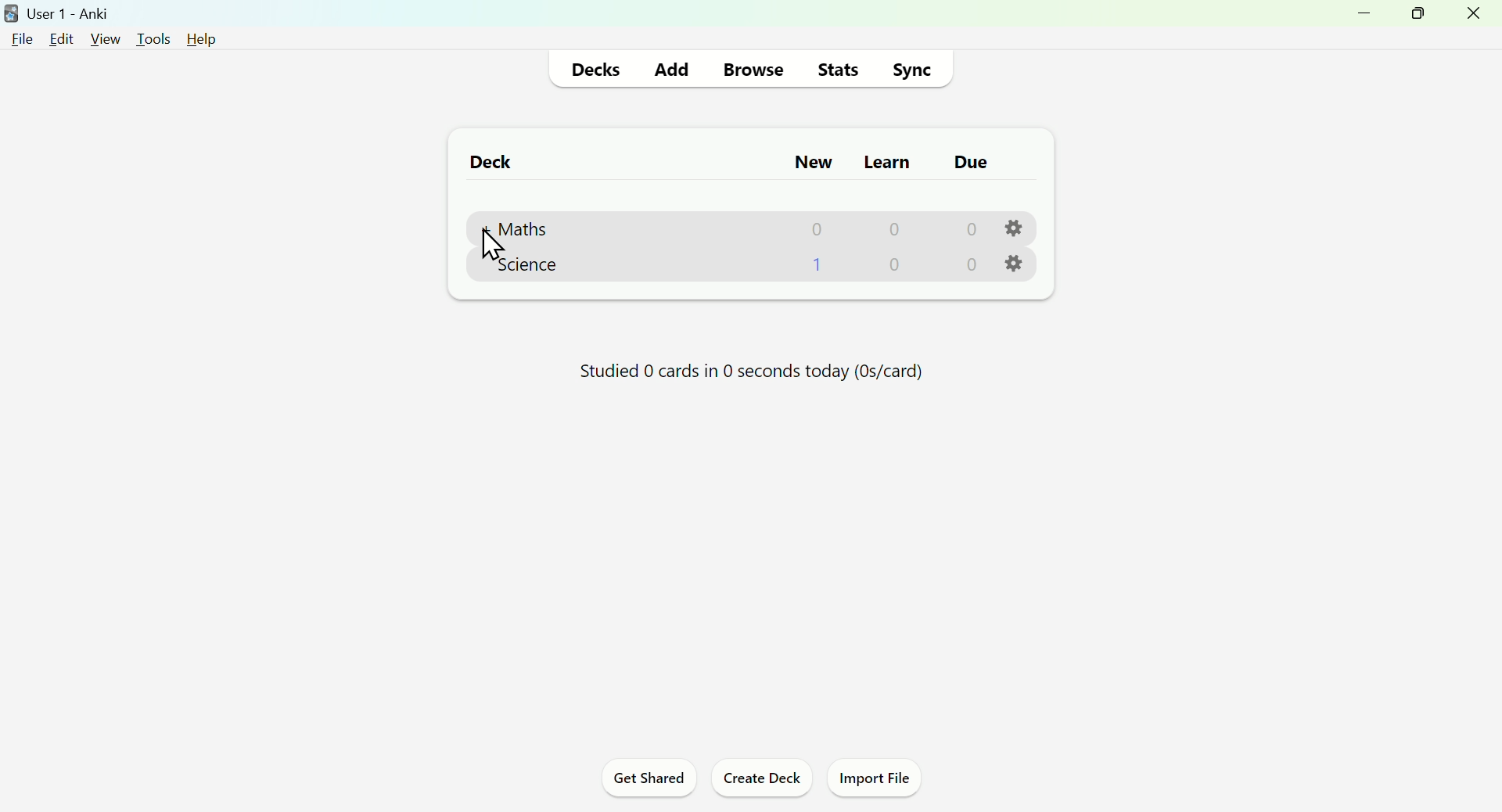 The image size is (1502, 812). Describe the element at coordinates (599, 68) in the screenshot. I see `Decks` at that location.